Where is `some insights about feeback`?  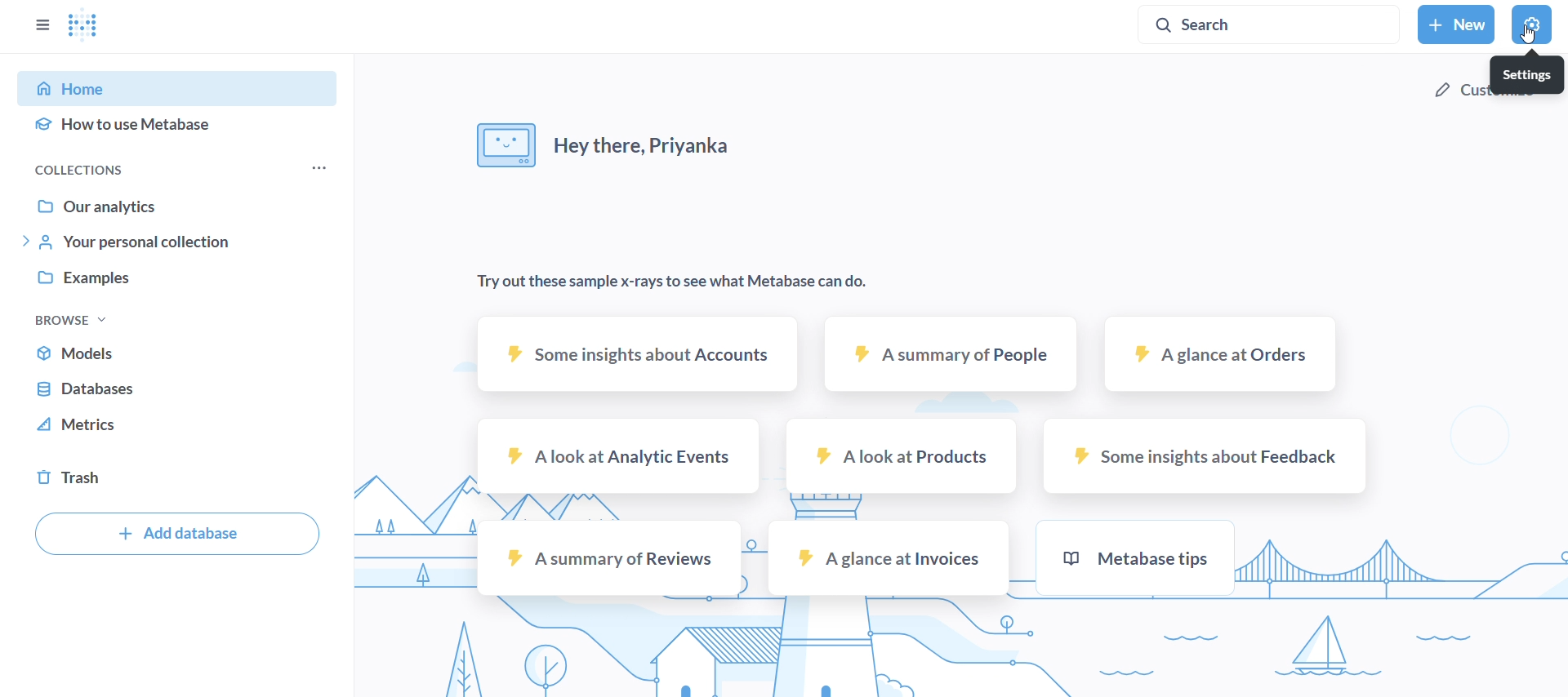
some insights about feeback is located at coordinates (1205, 455).